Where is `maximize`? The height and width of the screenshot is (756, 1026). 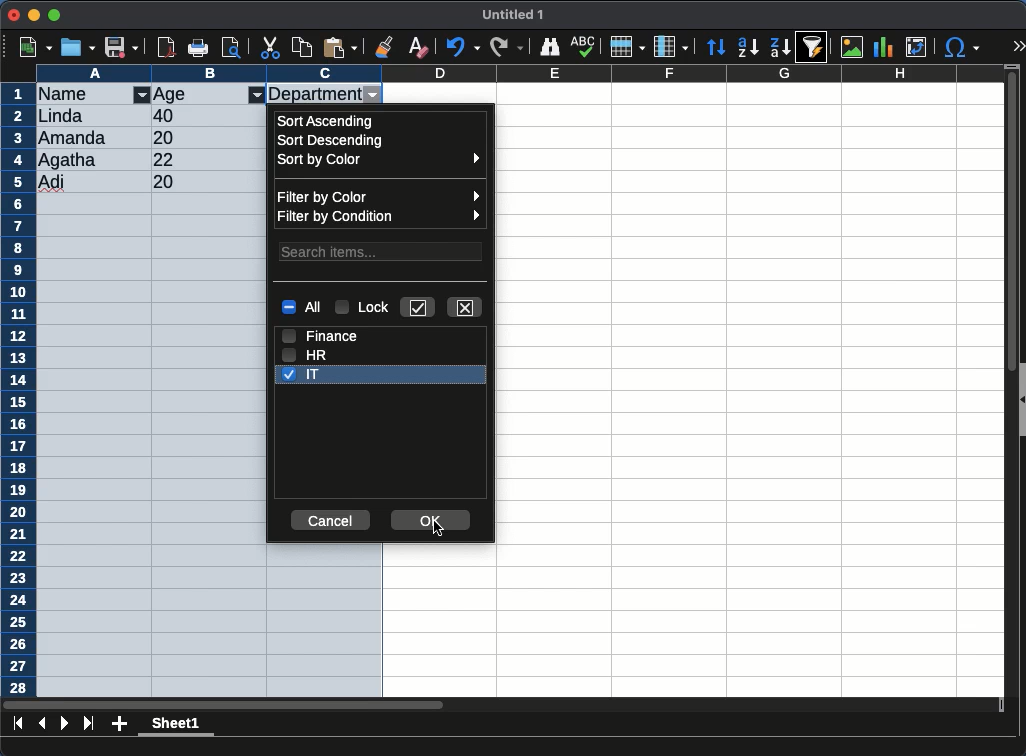 maximize is located at coordinates (56, 14).